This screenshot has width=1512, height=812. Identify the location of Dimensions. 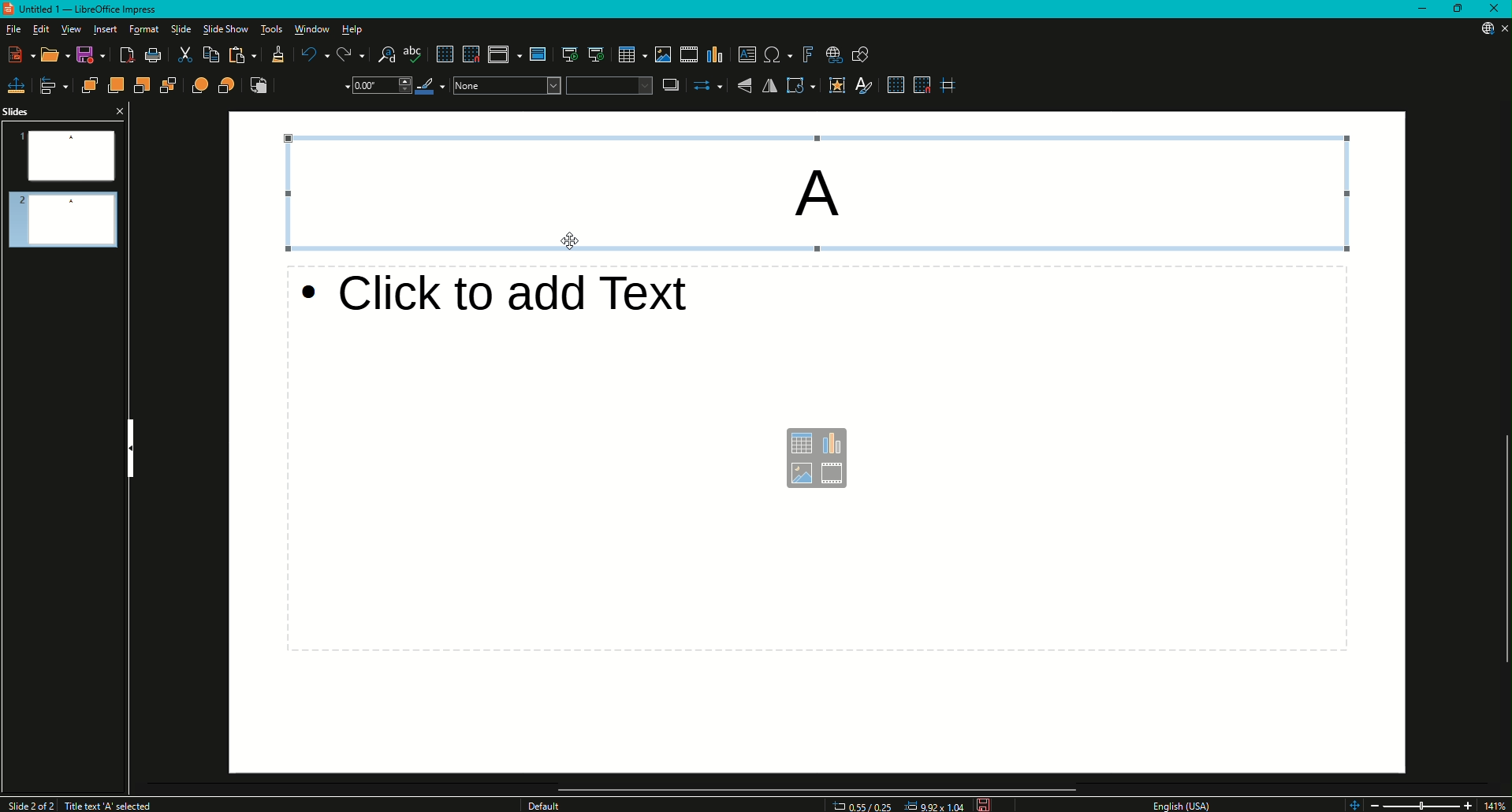
(897, 806).